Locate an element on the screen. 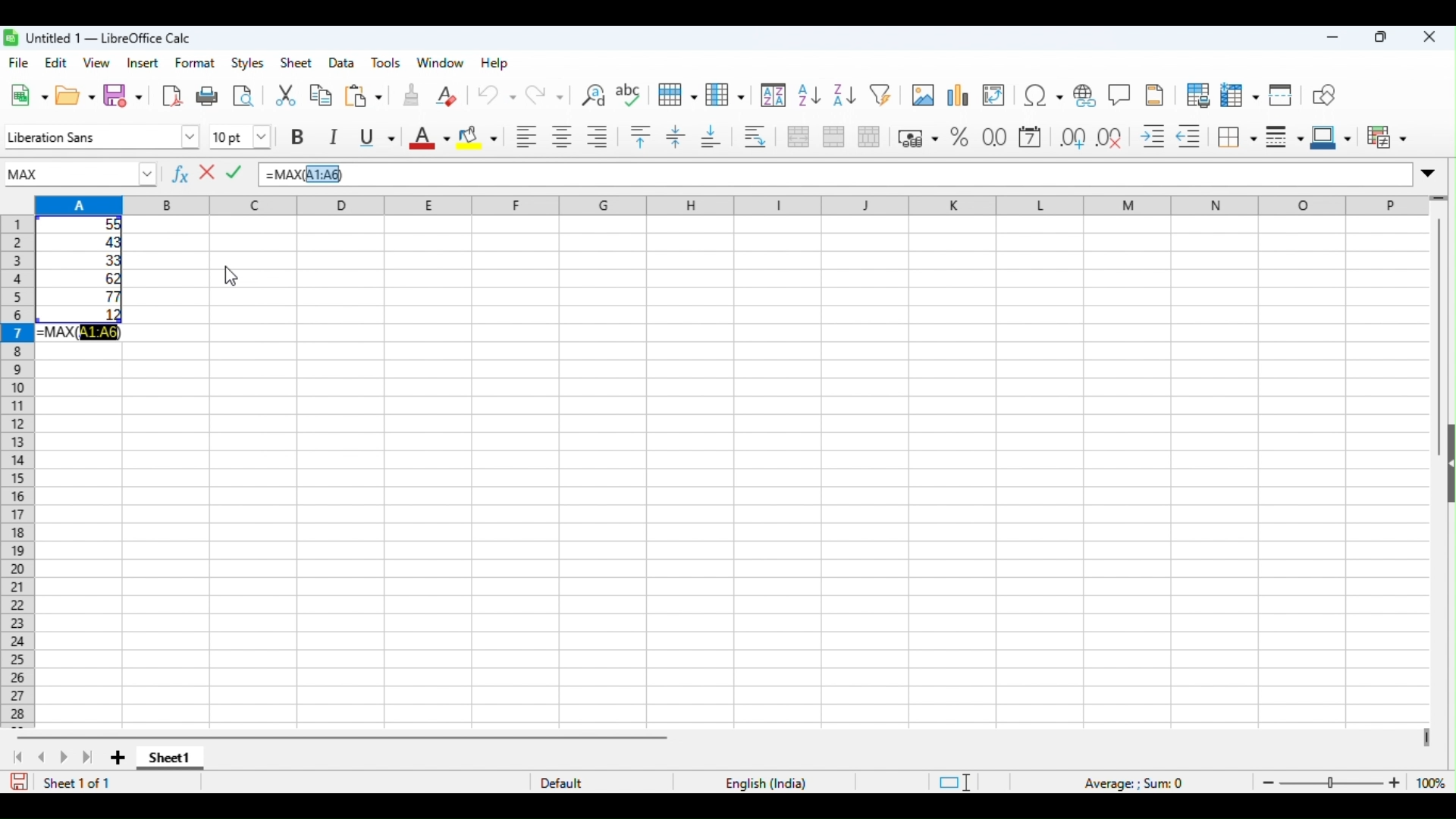 The image size is (1456, 819). function wizard is located at coordinates (179, 175).